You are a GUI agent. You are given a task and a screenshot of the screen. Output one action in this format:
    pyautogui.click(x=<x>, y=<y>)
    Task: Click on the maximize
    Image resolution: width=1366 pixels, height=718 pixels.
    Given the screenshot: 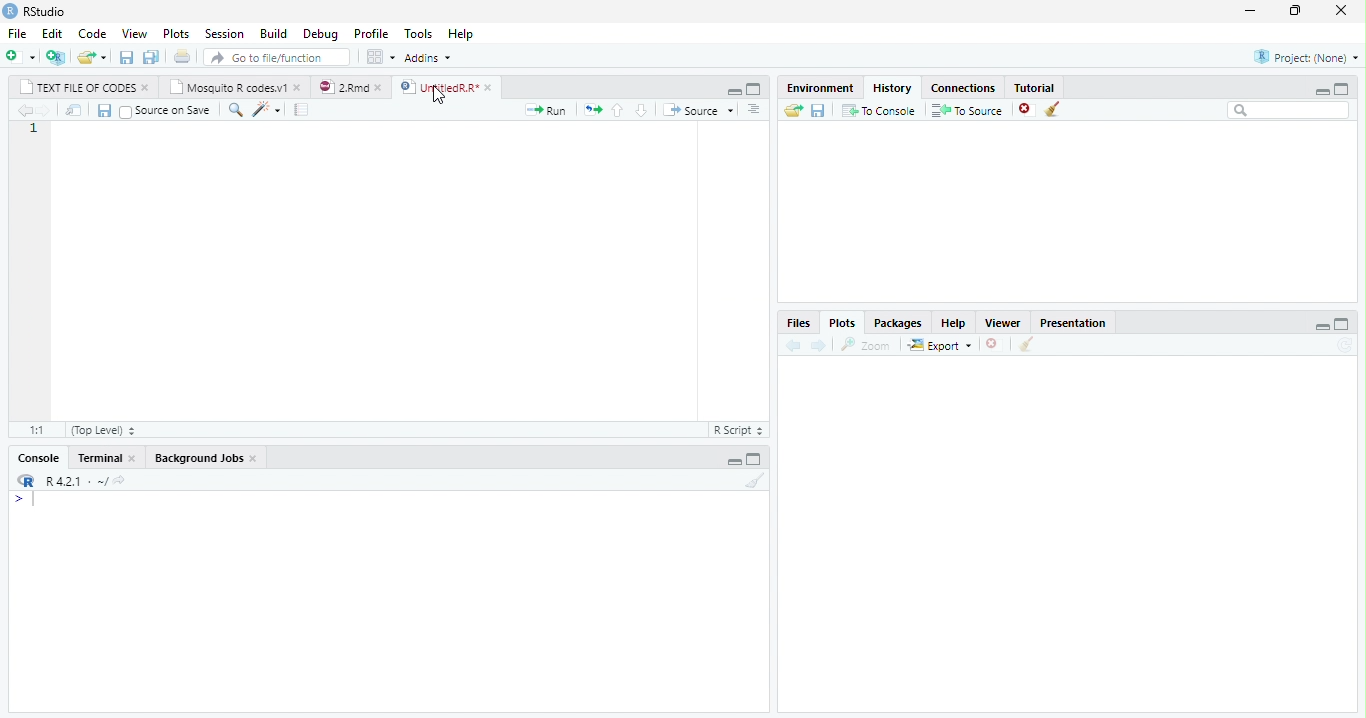 What is the action you would take?
    pyautogui.click(x=758, y=90)
    